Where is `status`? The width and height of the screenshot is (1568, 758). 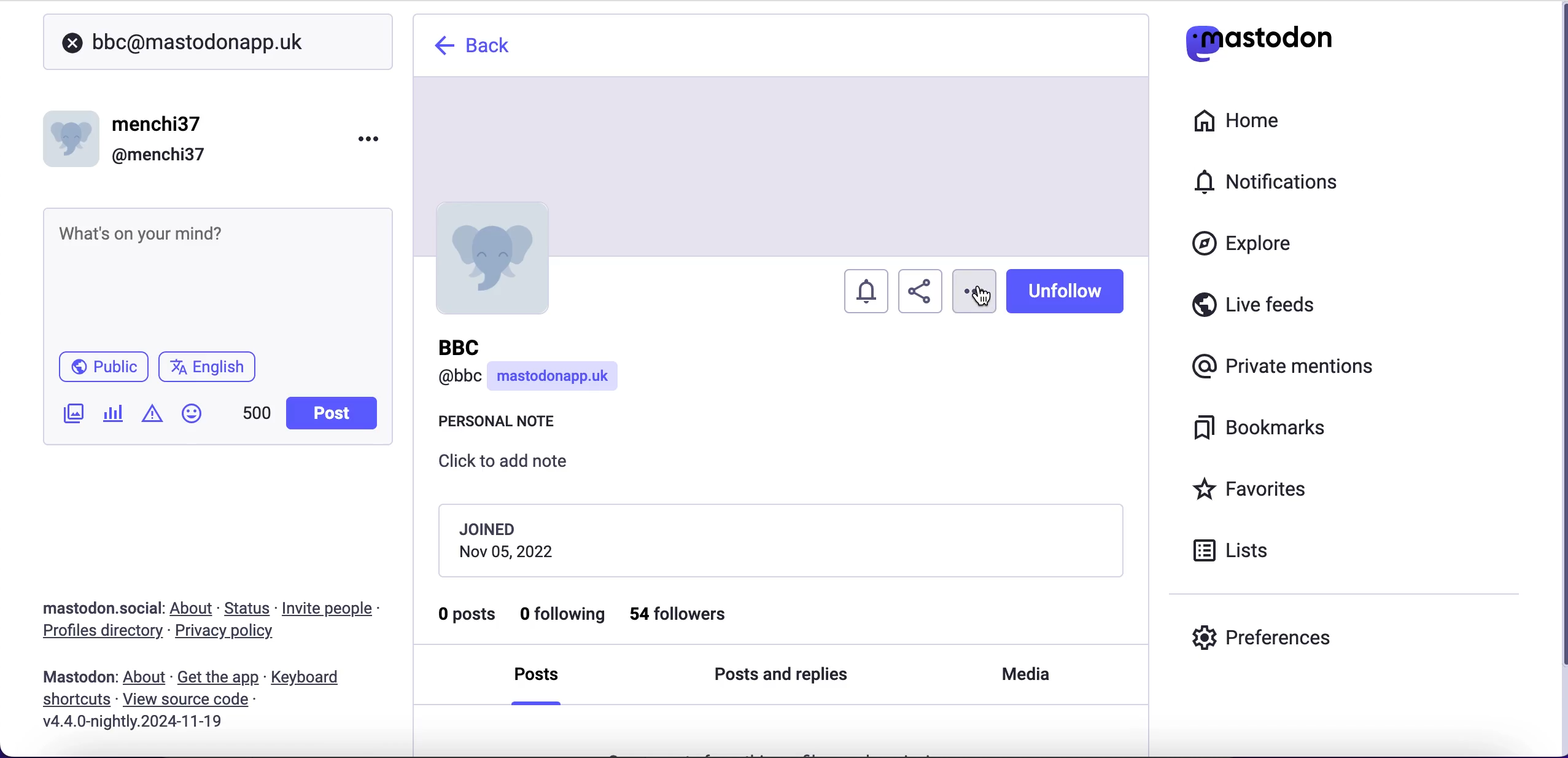 status is located at coordinates (249, 608).